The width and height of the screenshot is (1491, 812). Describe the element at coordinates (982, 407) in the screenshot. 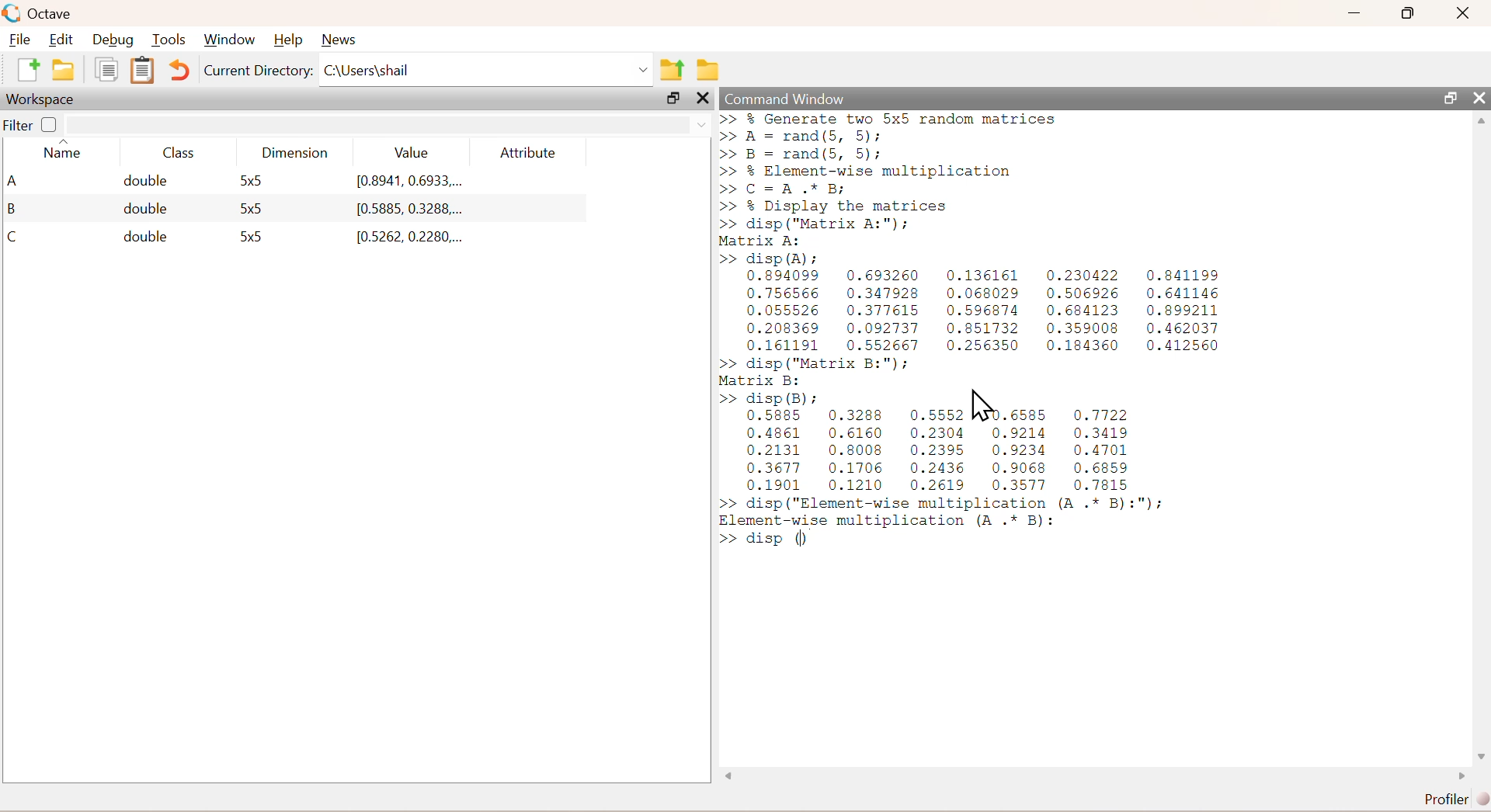

I see `Cursor` at that location.